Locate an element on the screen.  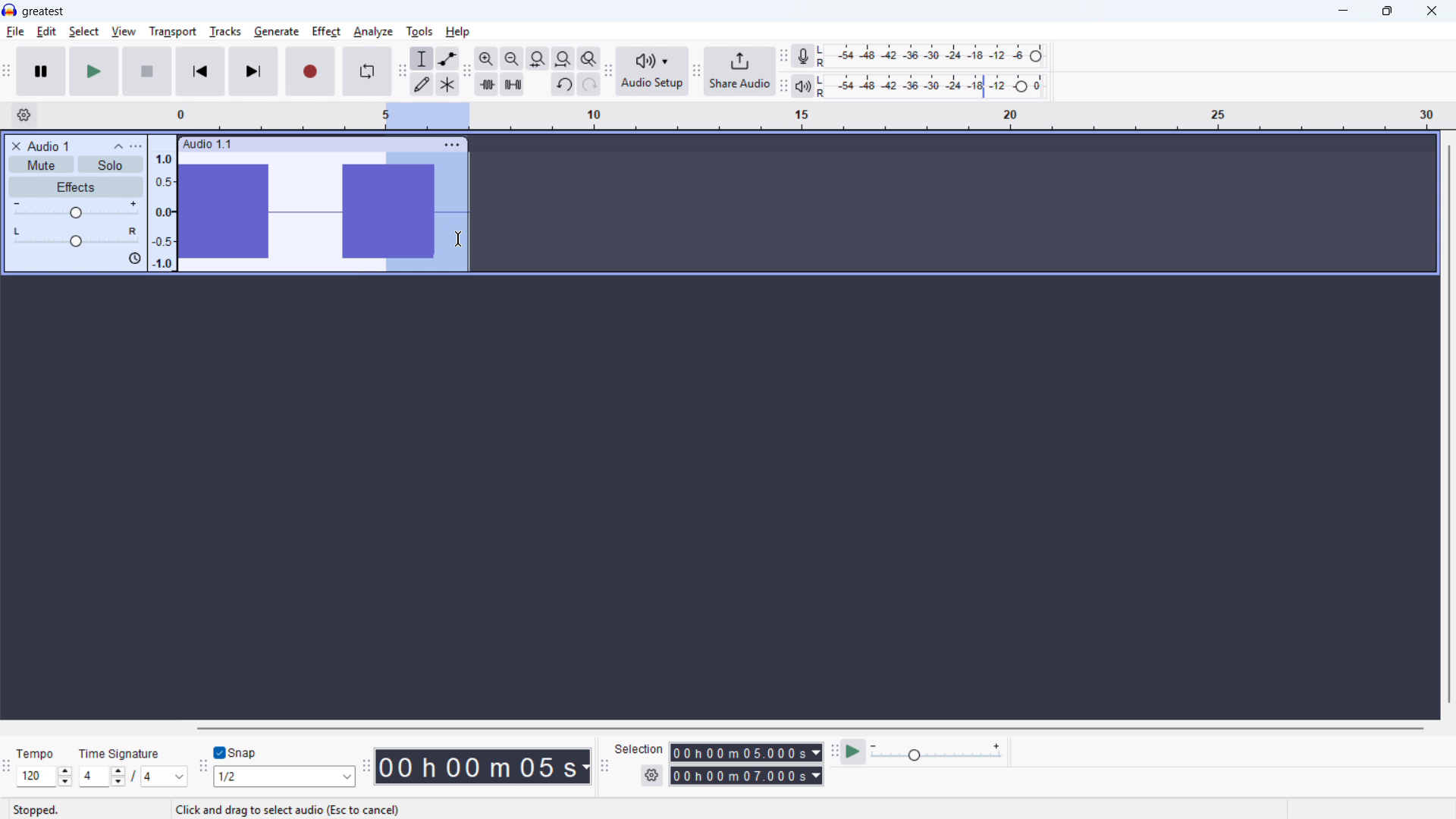
Playback metre  is located at coordinates (802, 86).